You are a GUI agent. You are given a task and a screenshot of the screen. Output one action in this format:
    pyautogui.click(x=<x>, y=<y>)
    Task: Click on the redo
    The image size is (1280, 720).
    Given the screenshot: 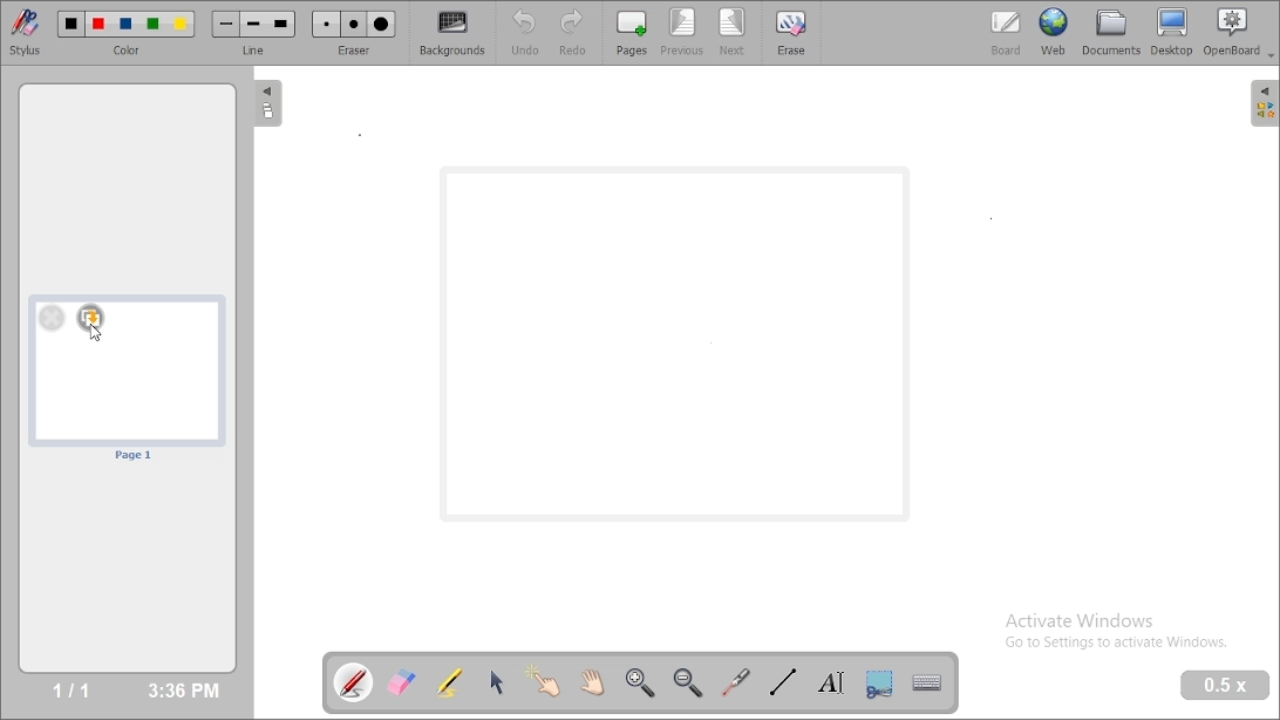 What is the action you would take?
    pyautogui.click(x=578, y=32)
    